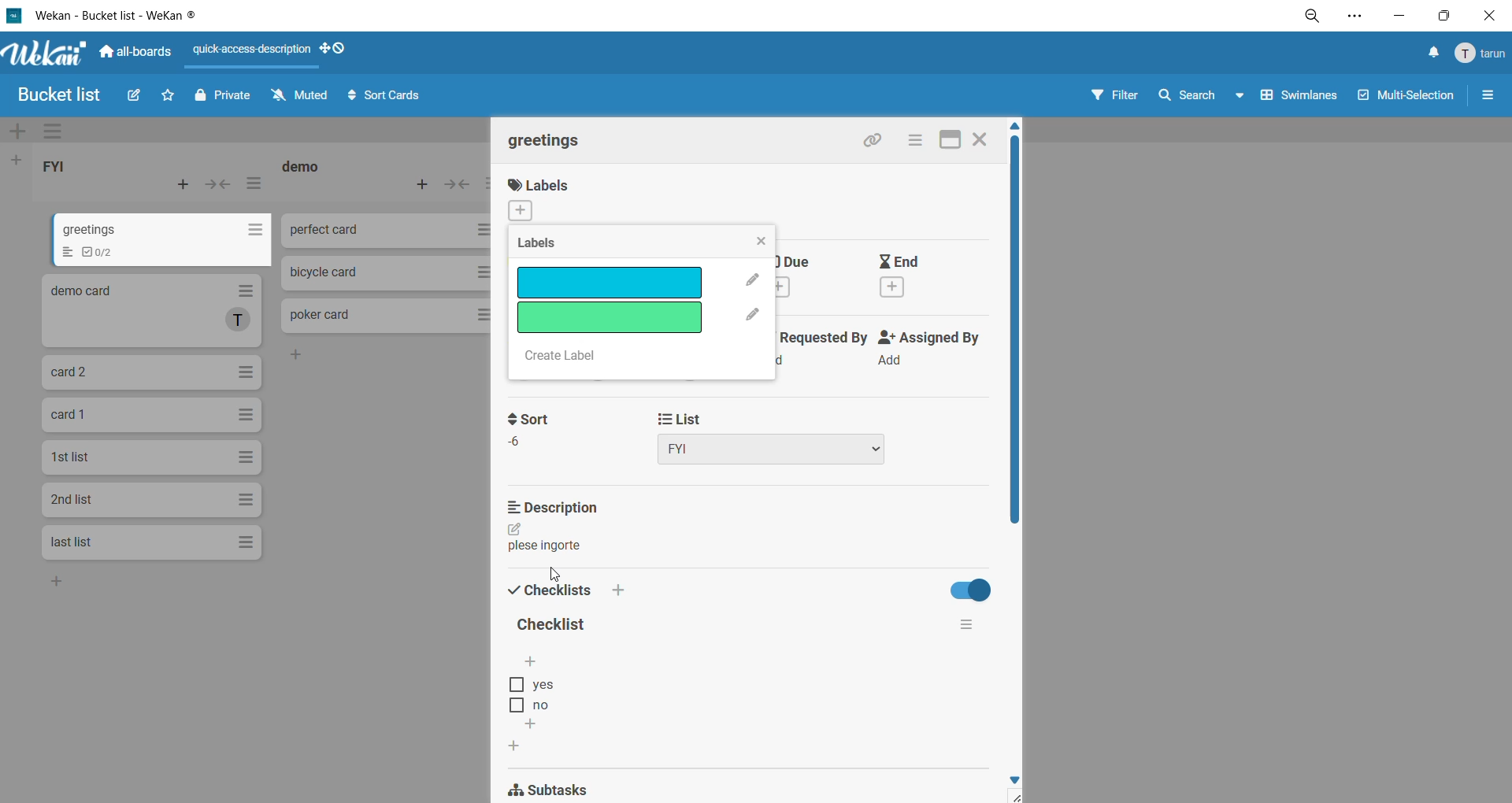 The height and width of the screenshot is (803, 1512). What do you see at coordinates (62, 579) in the screenshot?
I see `add` at bounding box center [62, 579].